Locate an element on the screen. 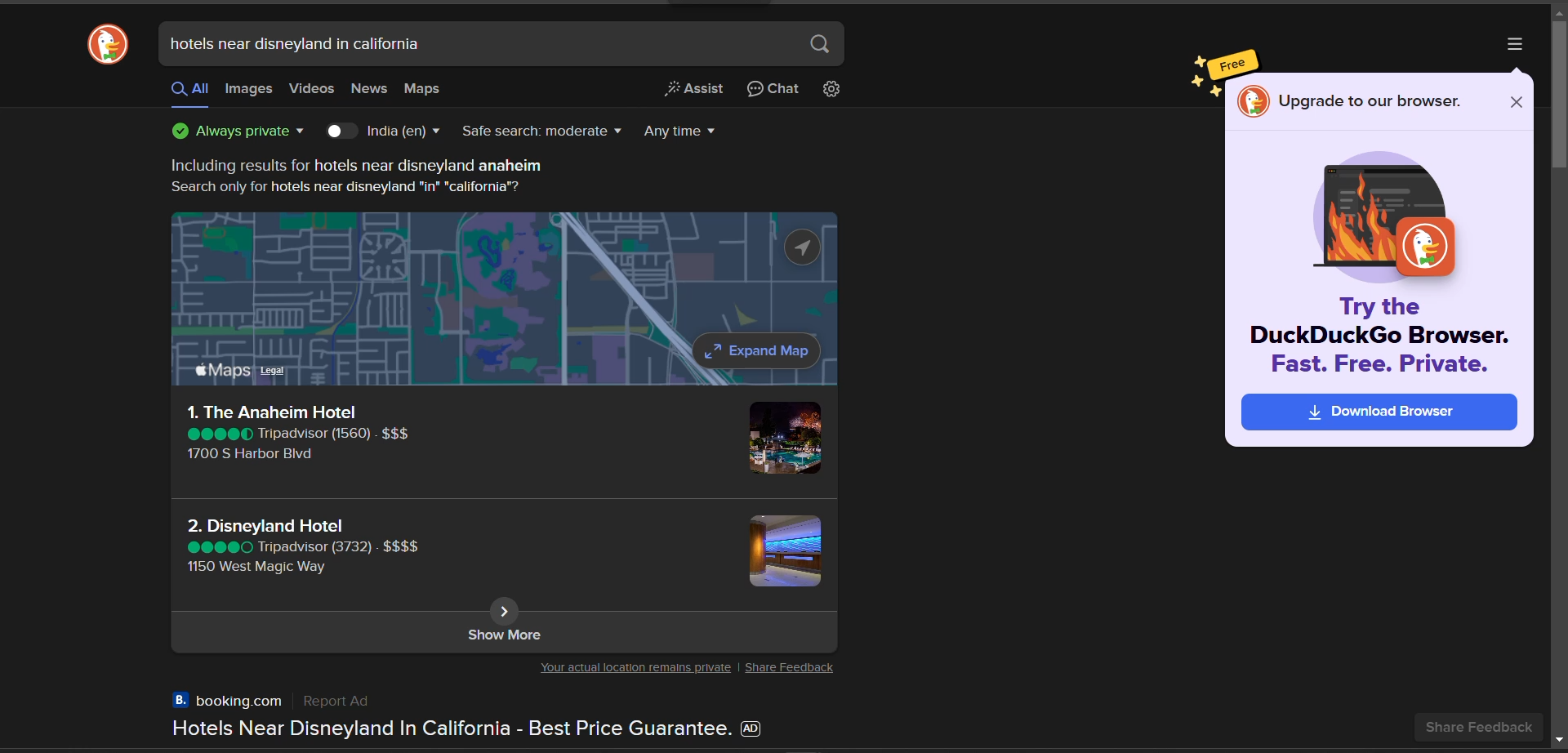 Image resolution: width=1568 pixels, height=753 pixels. icon is located at coordinates (1252, 103).